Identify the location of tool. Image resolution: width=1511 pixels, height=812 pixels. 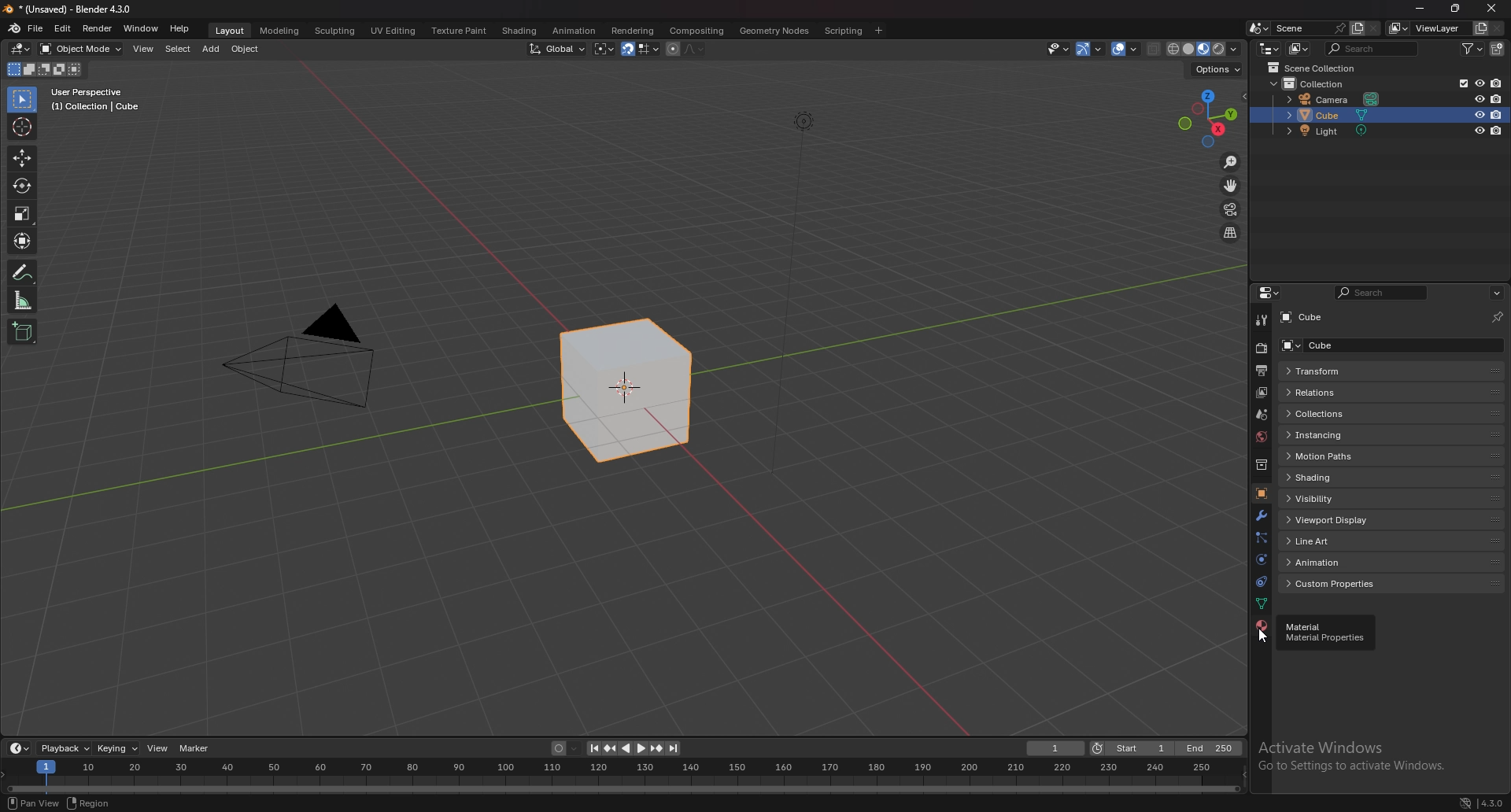
(1262, 319).